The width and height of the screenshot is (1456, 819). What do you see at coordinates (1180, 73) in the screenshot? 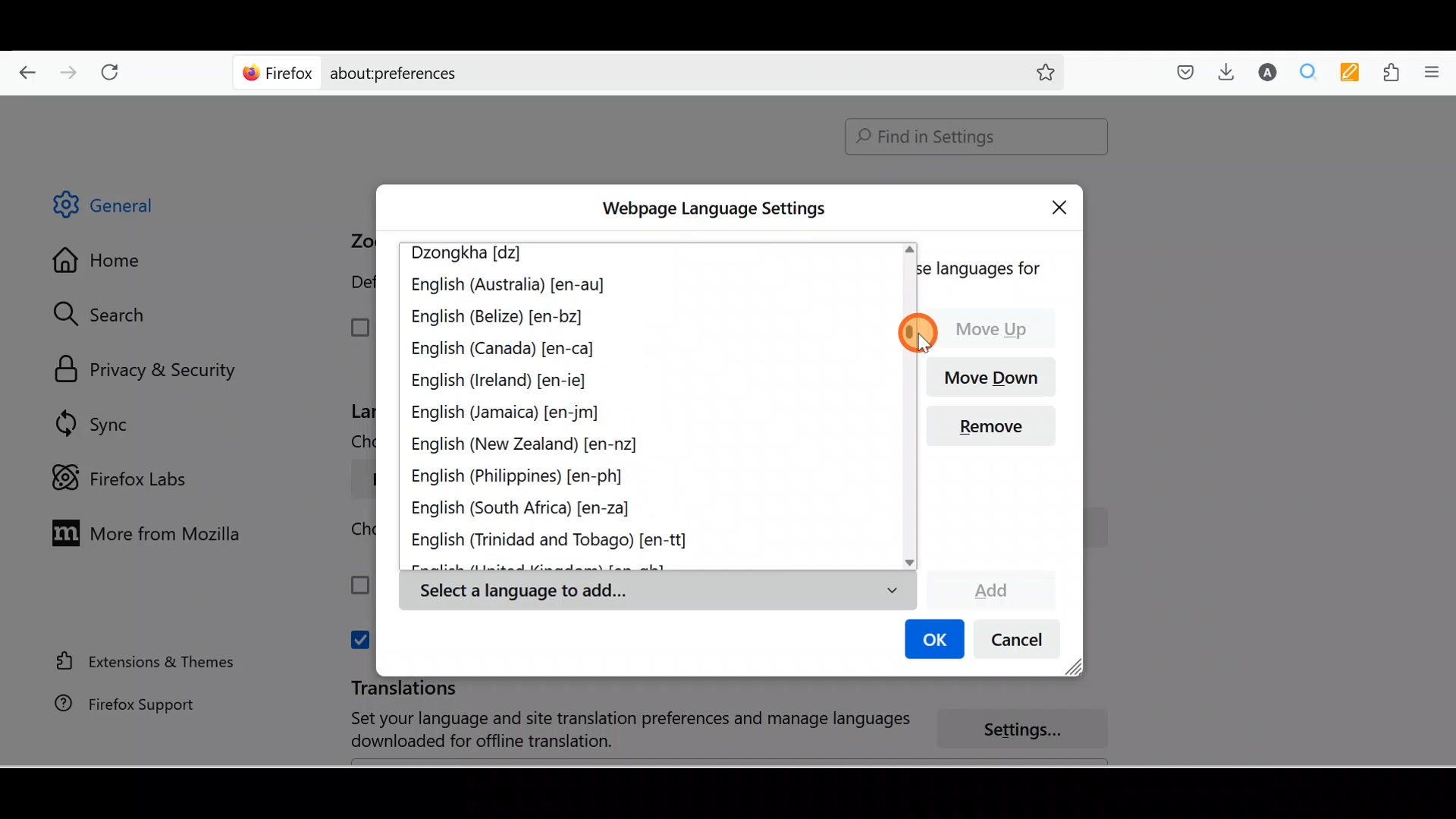
I see `Save to pocket` at bounding box center [1180, 73].